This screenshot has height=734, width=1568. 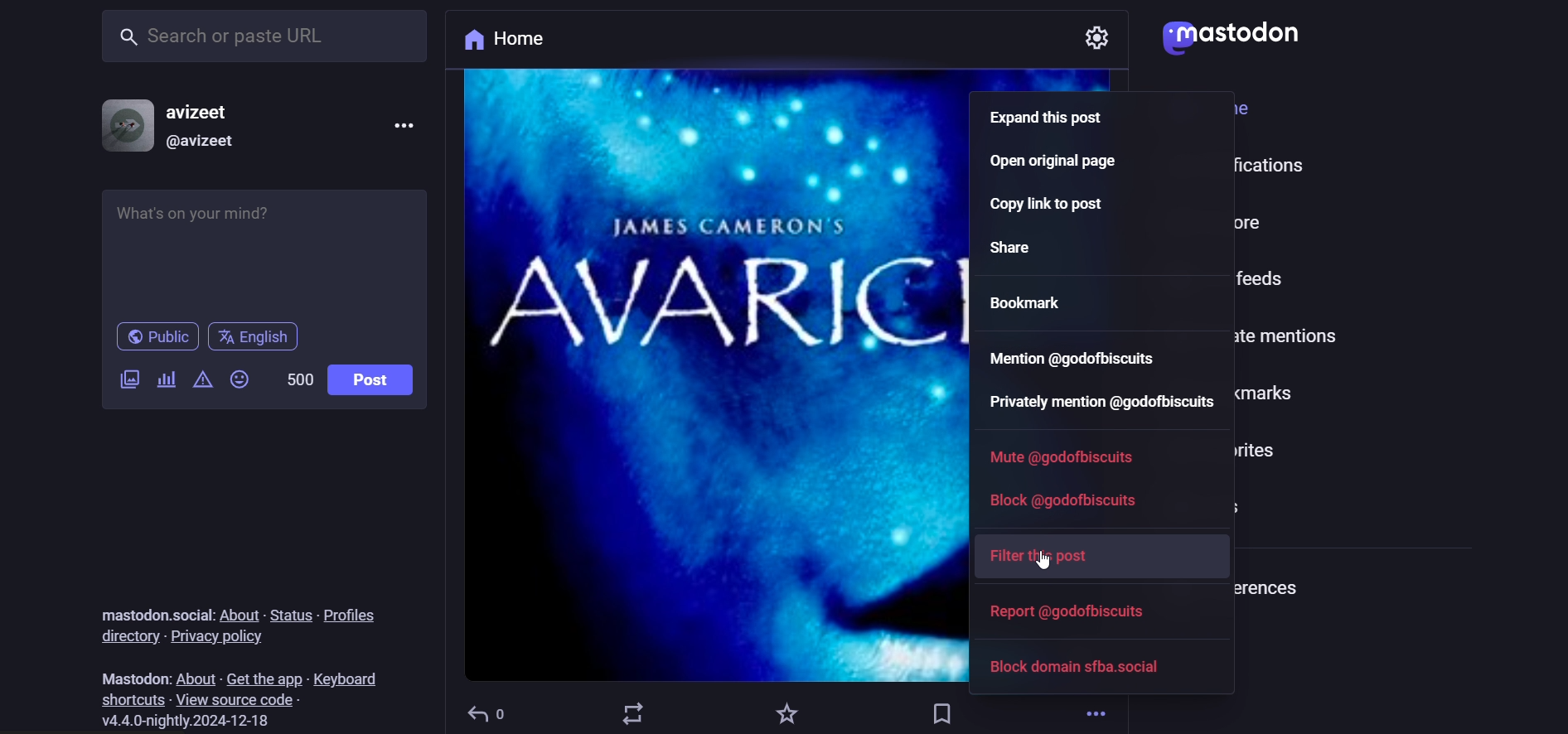 I want to click on get the app, so click(x=259, y=679).